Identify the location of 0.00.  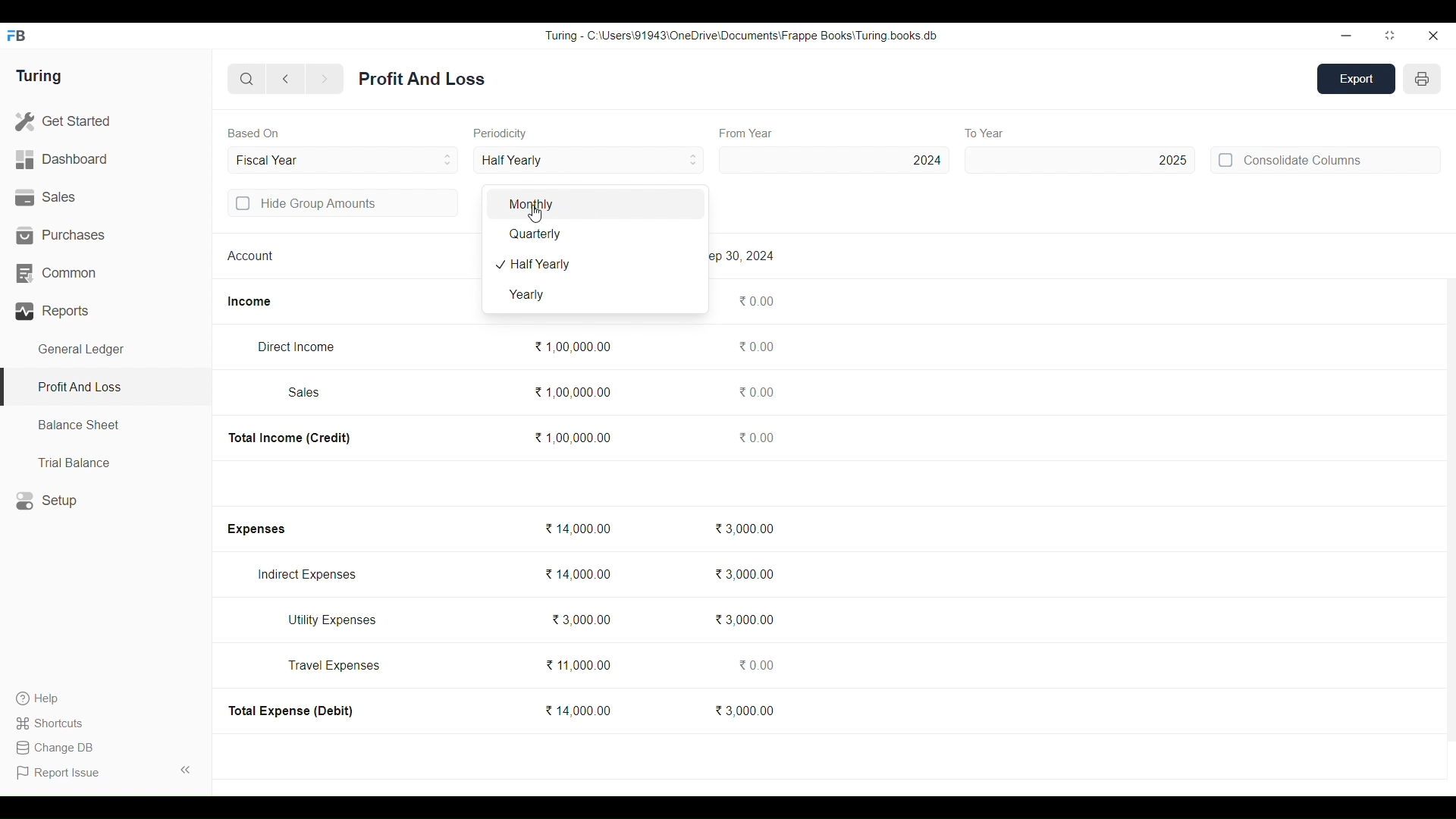
(755, 665).